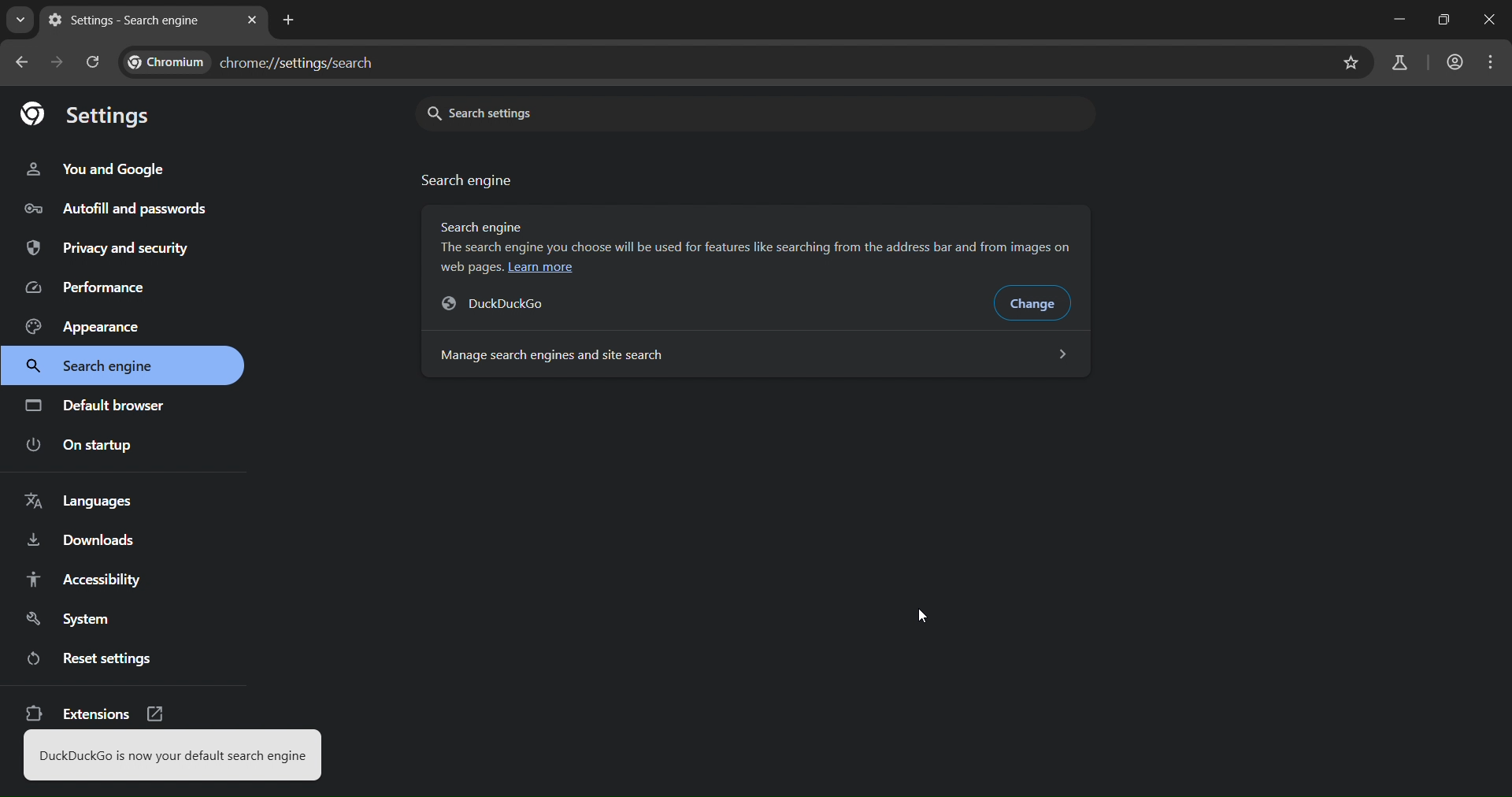 This screenshot has height=797, width=1512. I want to click on you and google, so click(99, 169).